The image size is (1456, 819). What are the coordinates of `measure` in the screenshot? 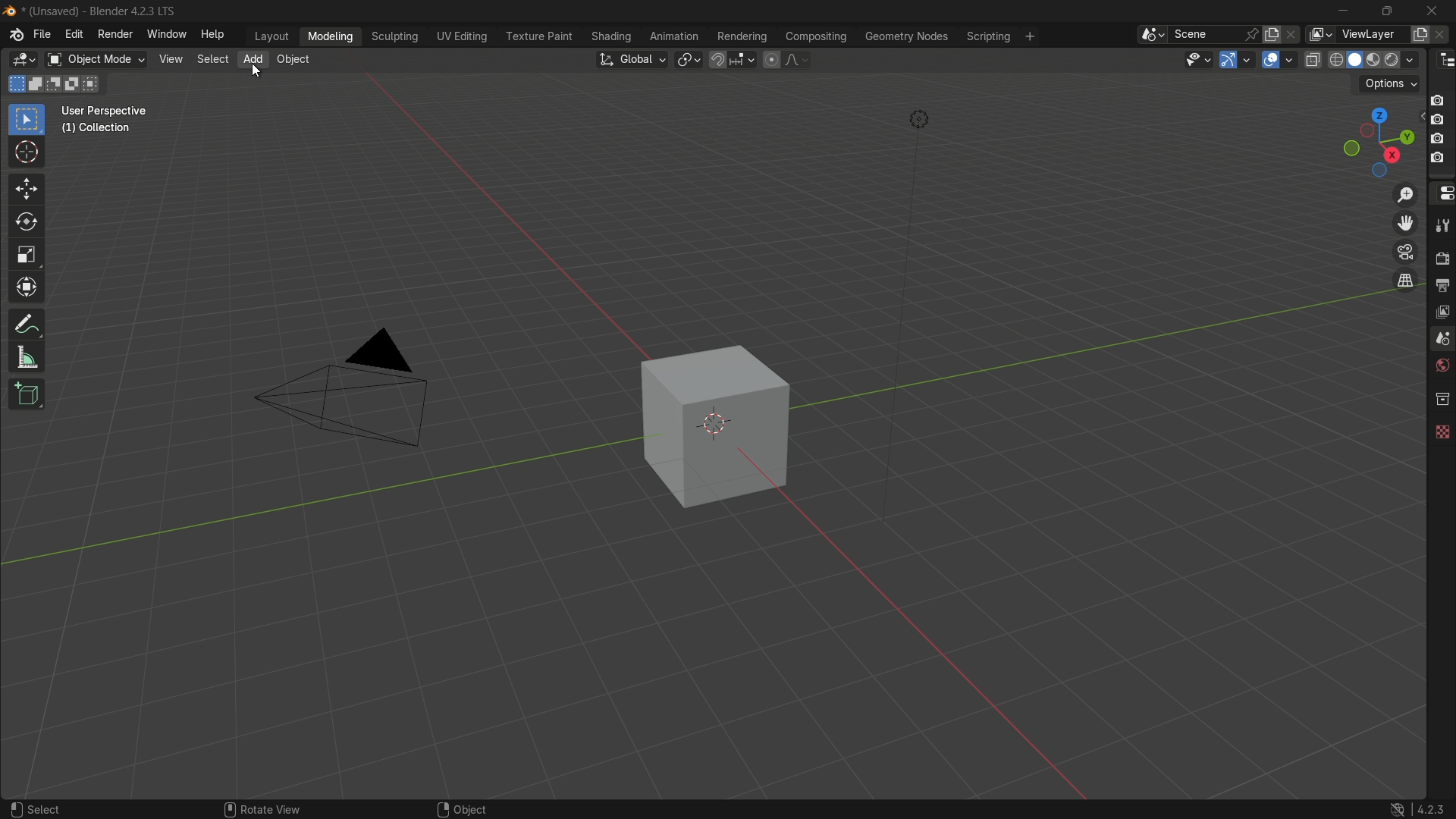 It's located at (28, 359).